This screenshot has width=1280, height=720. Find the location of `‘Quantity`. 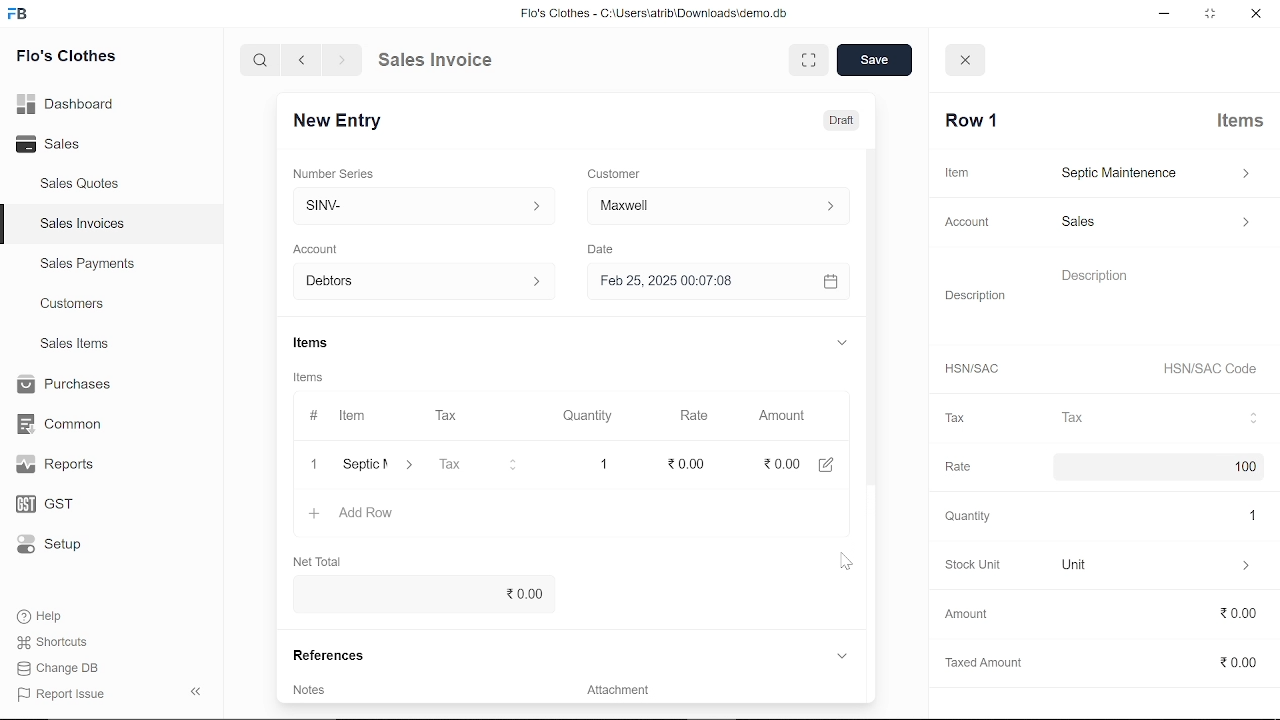

‘Quantity is located at coordinates (965, 516).